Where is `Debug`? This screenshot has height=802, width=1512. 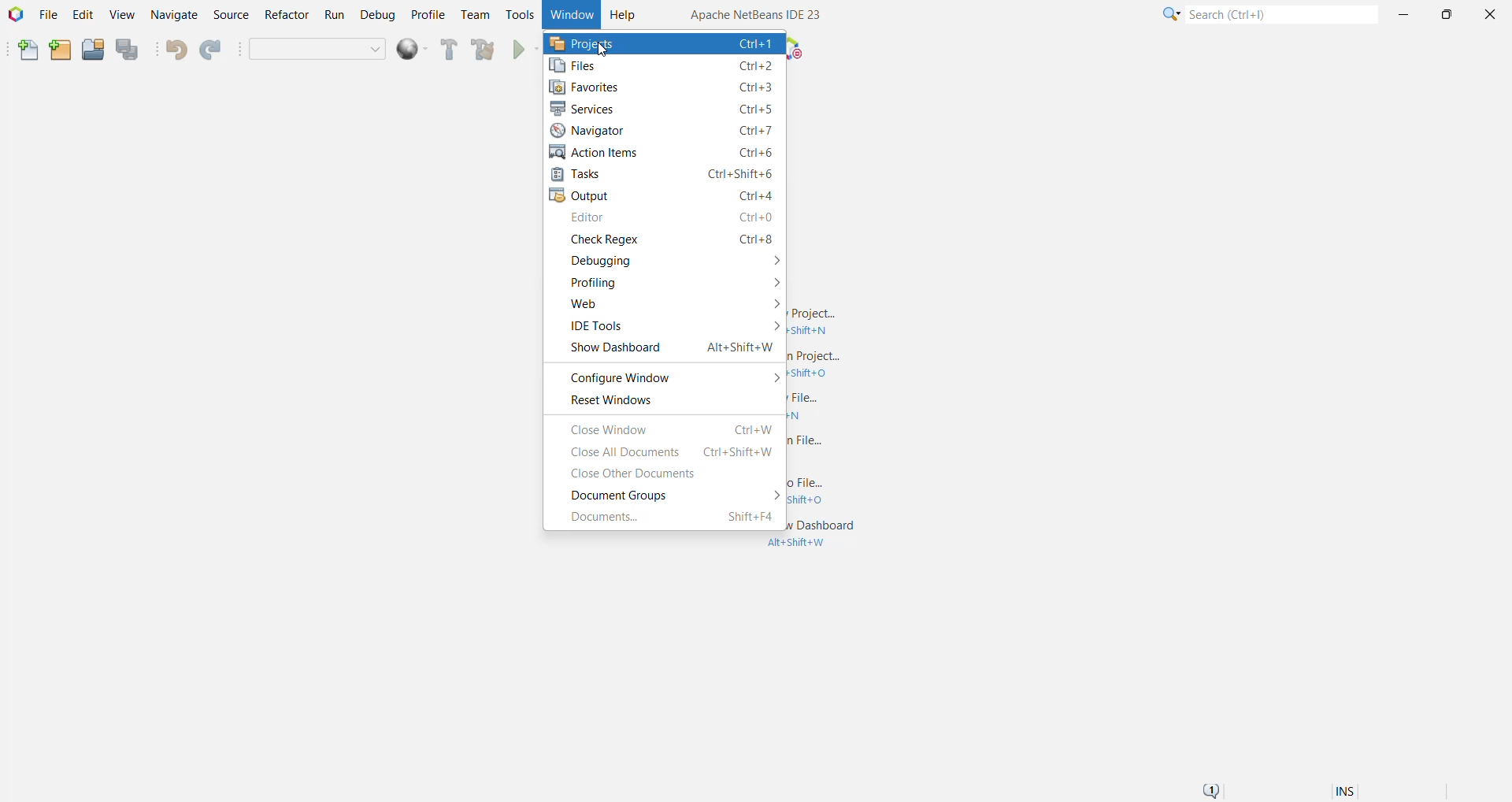 Debug is located at coordinates (377, 16).